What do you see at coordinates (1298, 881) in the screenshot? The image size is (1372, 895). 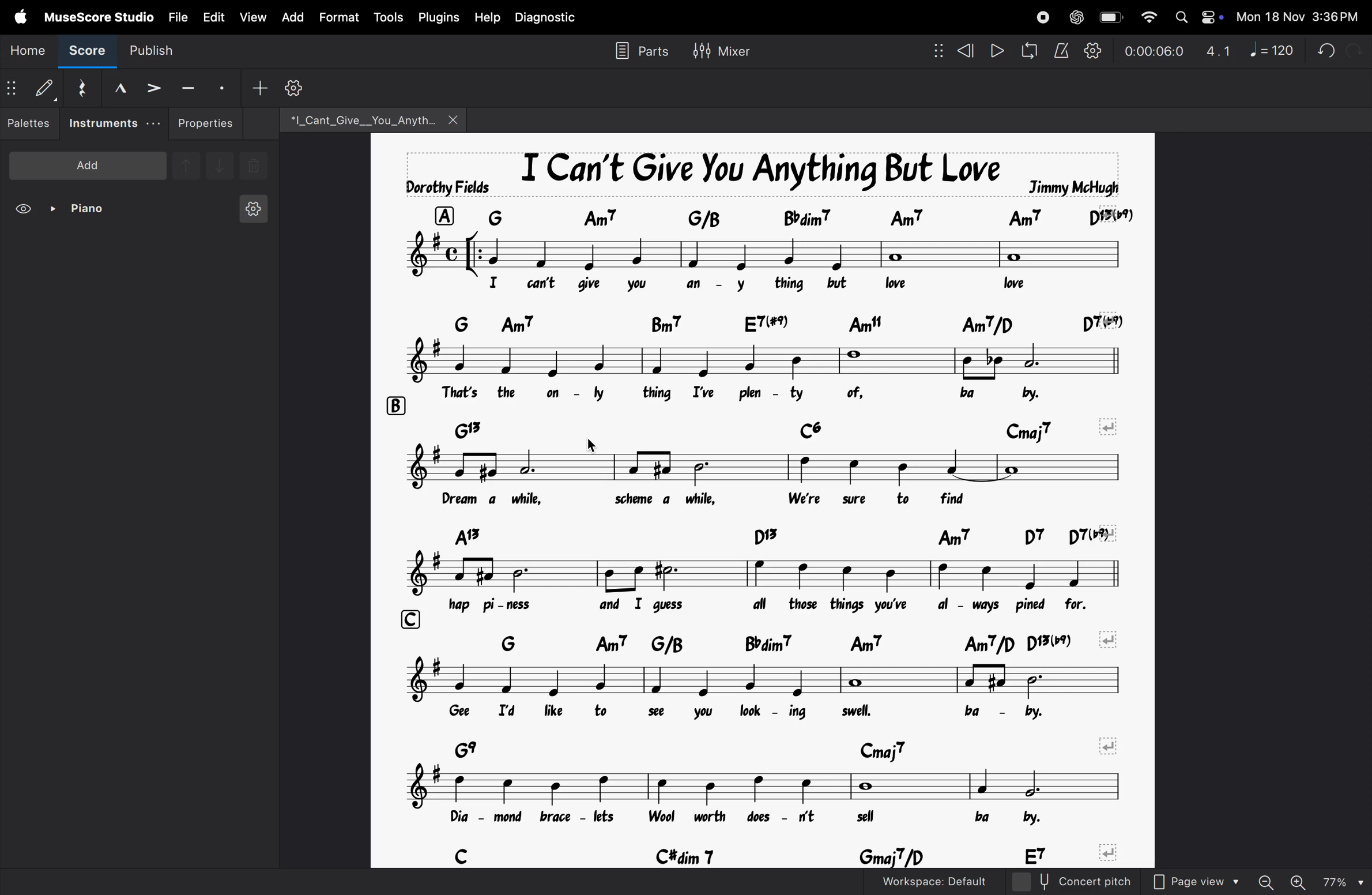 I see `zoom in` at bounding box center [1298, 881].